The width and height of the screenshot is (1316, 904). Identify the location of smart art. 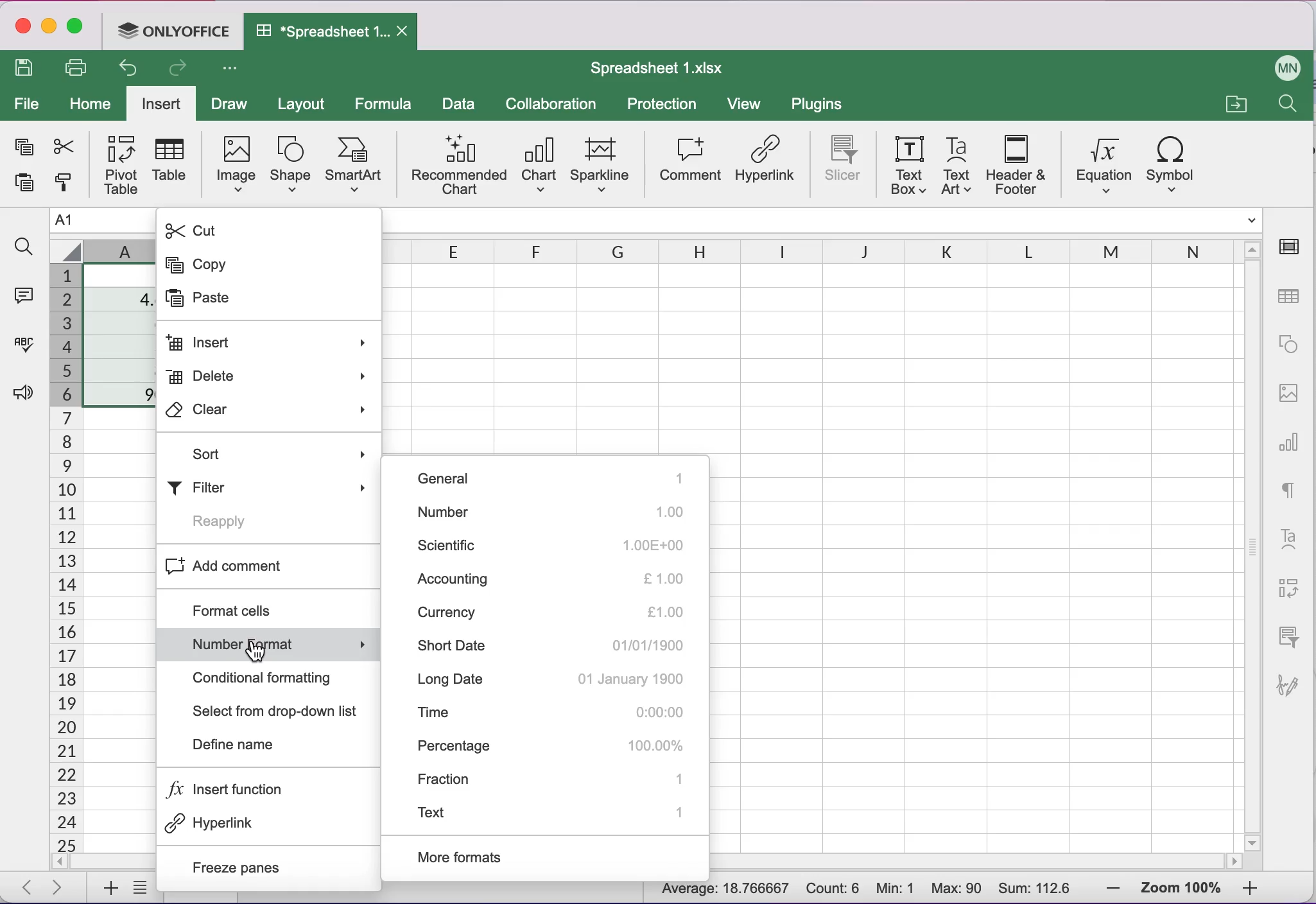
(356, 164).